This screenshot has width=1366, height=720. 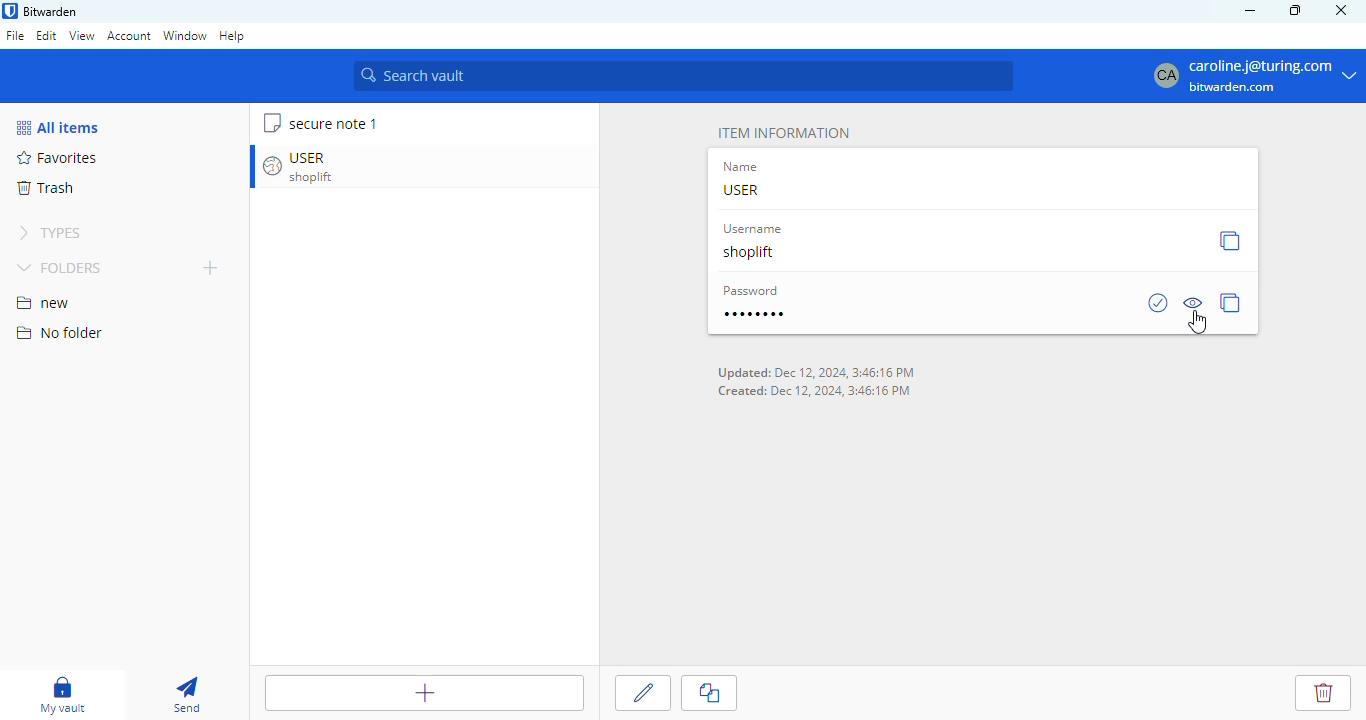 What do you see at coordinates (64, 267) in the screenshot?
I see `folders` at bounding box center [64, 267].